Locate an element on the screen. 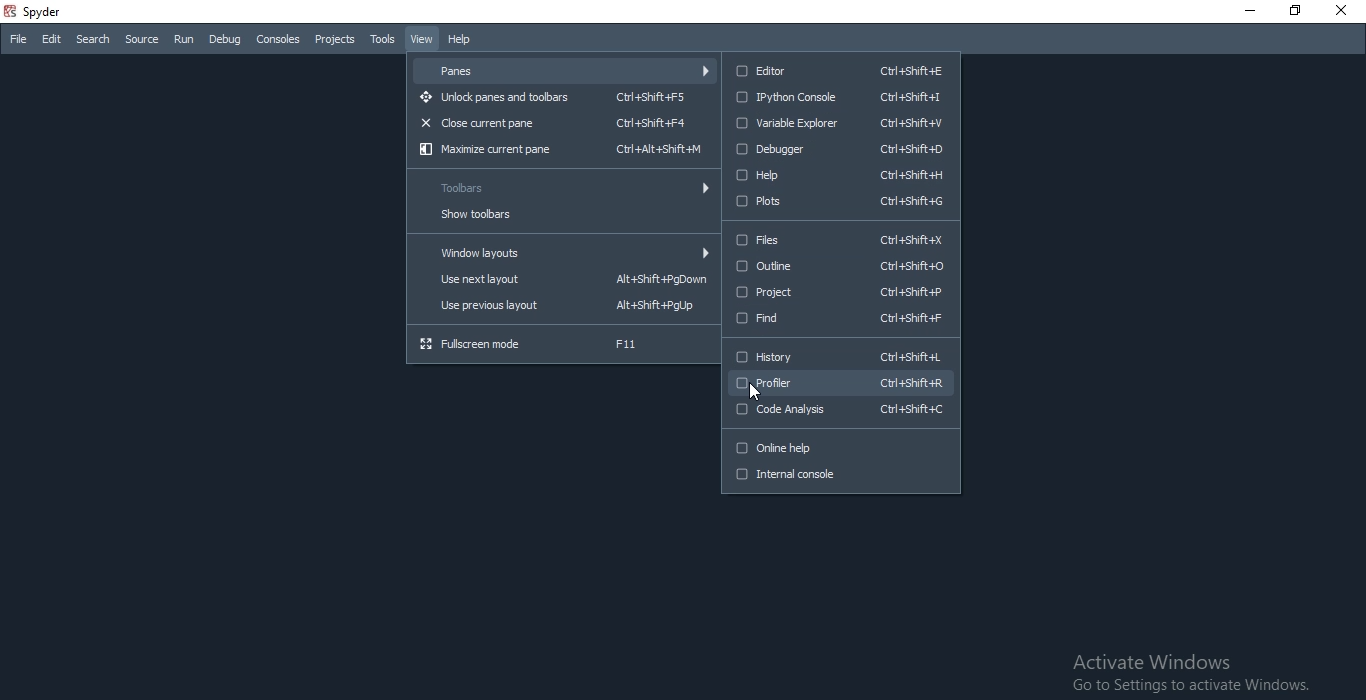 Image resolution: width=1366 pixels, height=700 pixels. Run is located at coordinates (186, 42).